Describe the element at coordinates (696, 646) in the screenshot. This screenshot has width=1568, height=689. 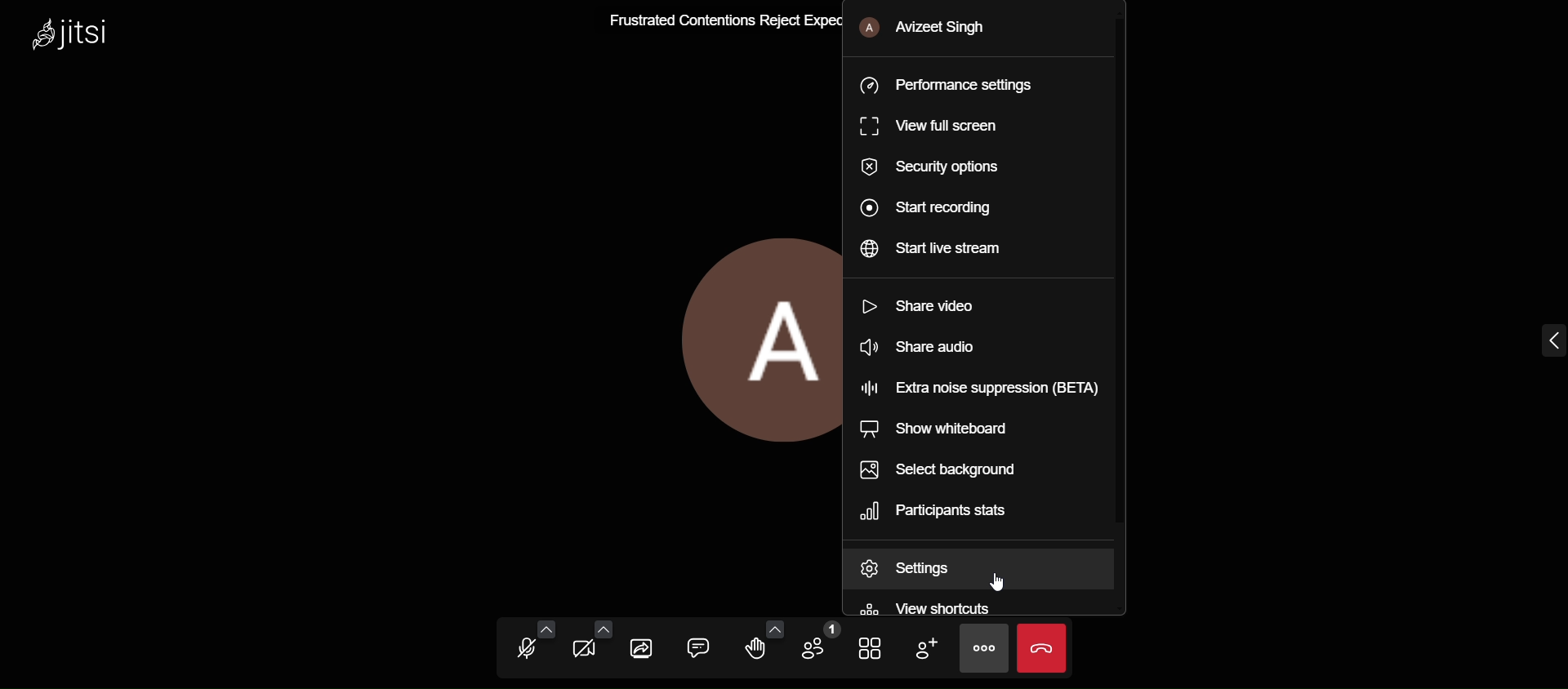
I see `open chat` at that location.